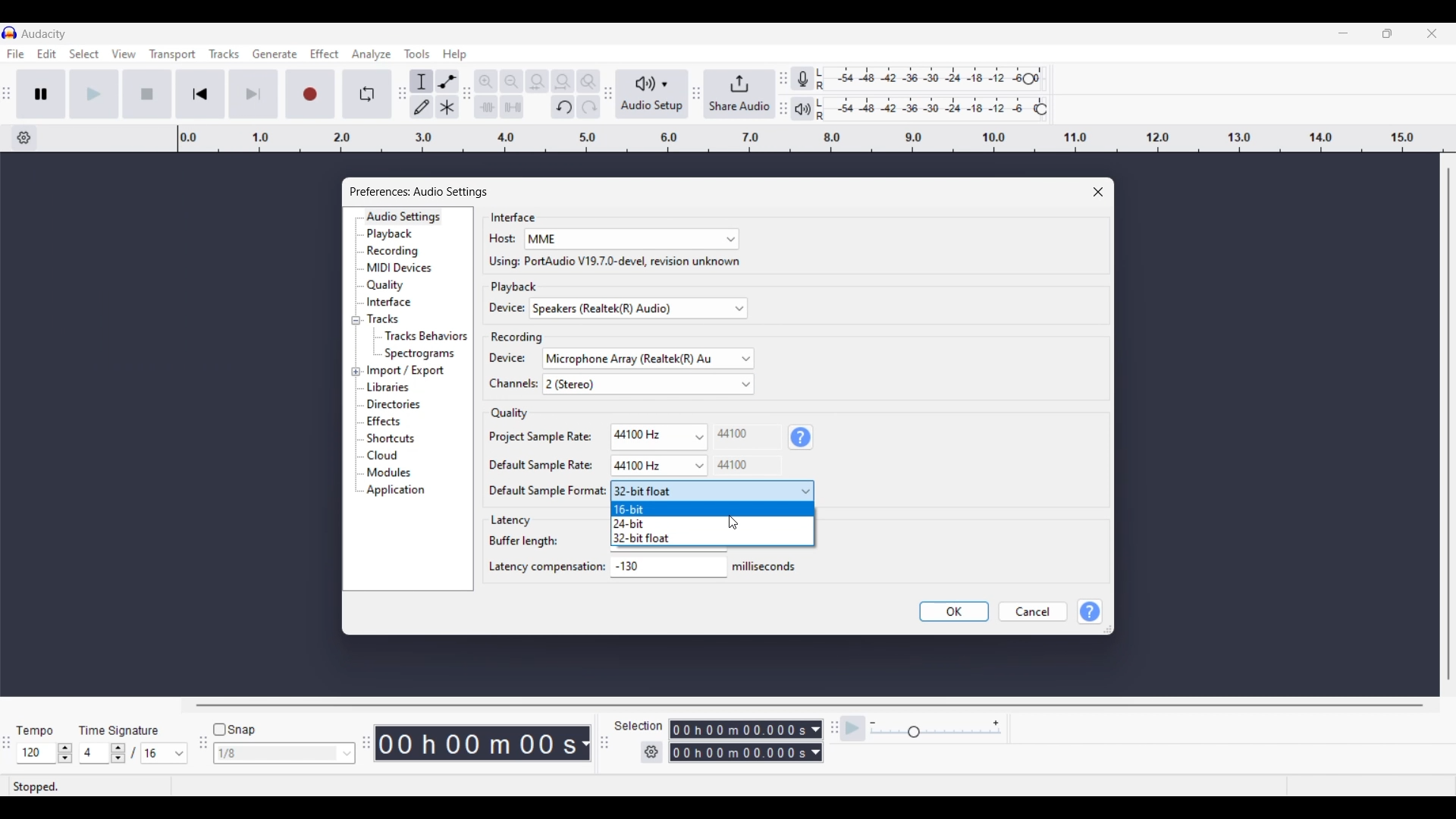  Describe the element at coordinates (402, 439) in the screenshot. I see `Shortcuts` at that location.